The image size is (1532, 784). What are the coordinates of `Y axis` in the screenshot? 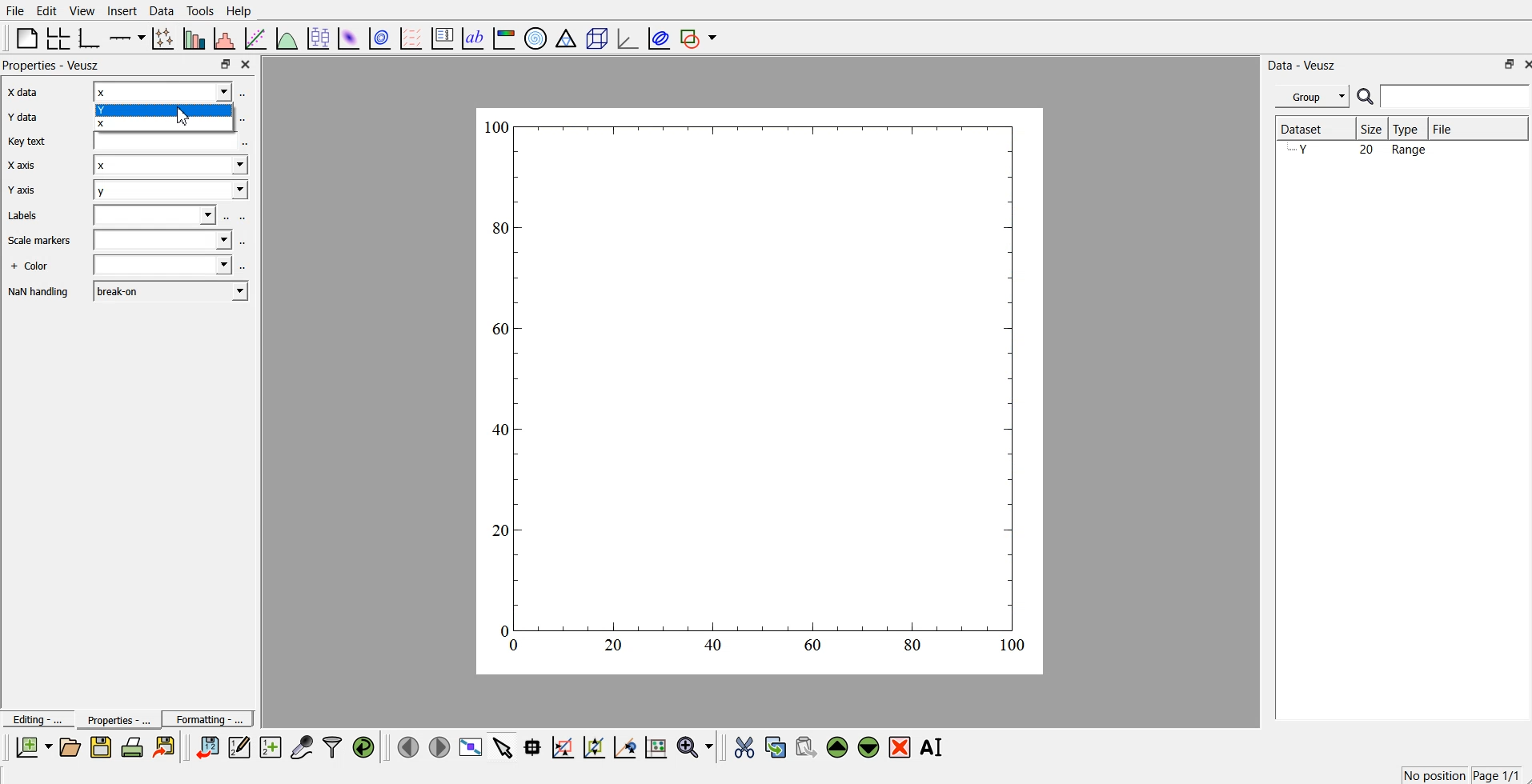 It's located at (26, 192).